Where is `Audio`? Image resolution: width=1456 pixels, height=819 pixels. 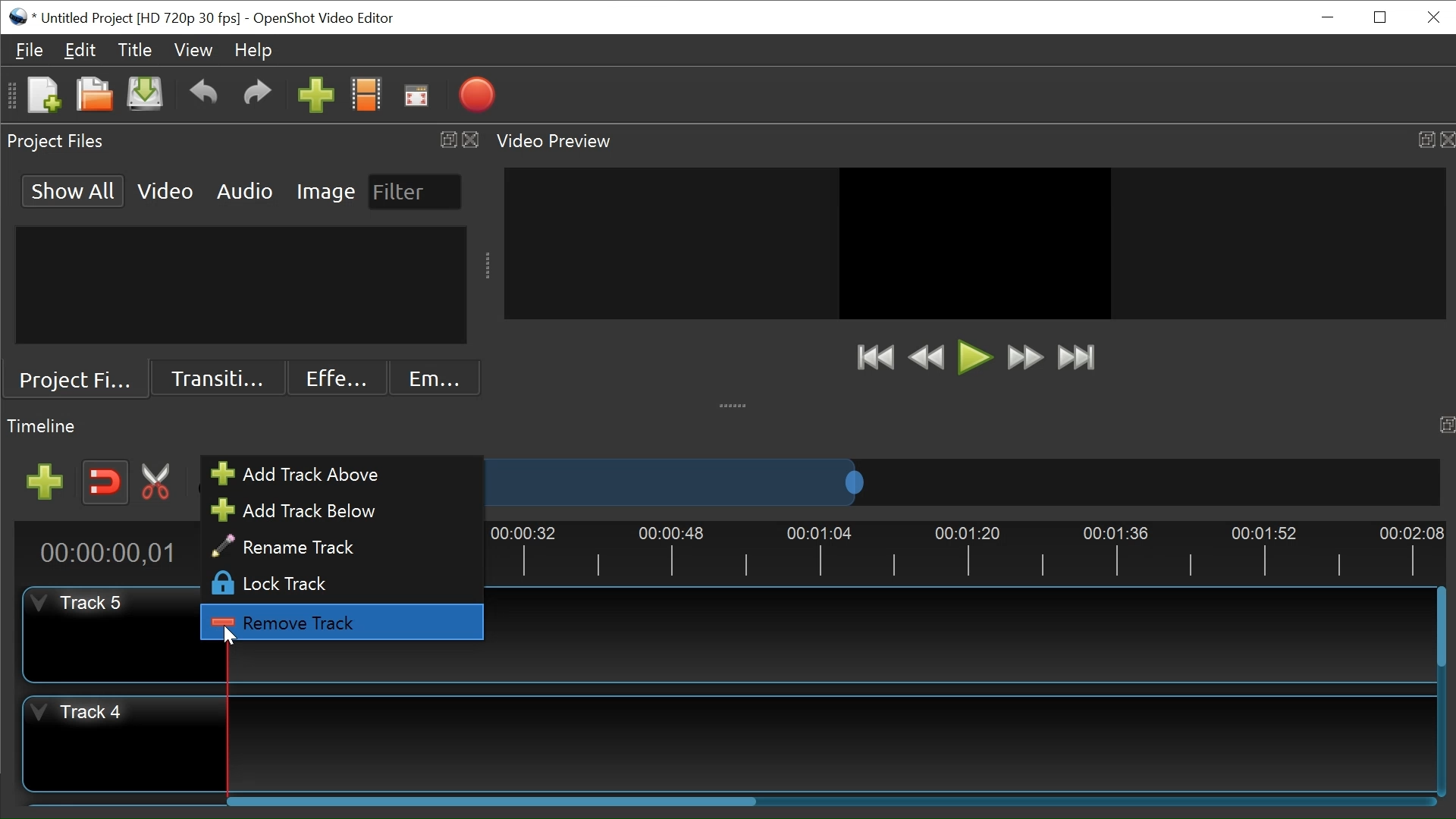 Audio is located at coordinates (243, 190).